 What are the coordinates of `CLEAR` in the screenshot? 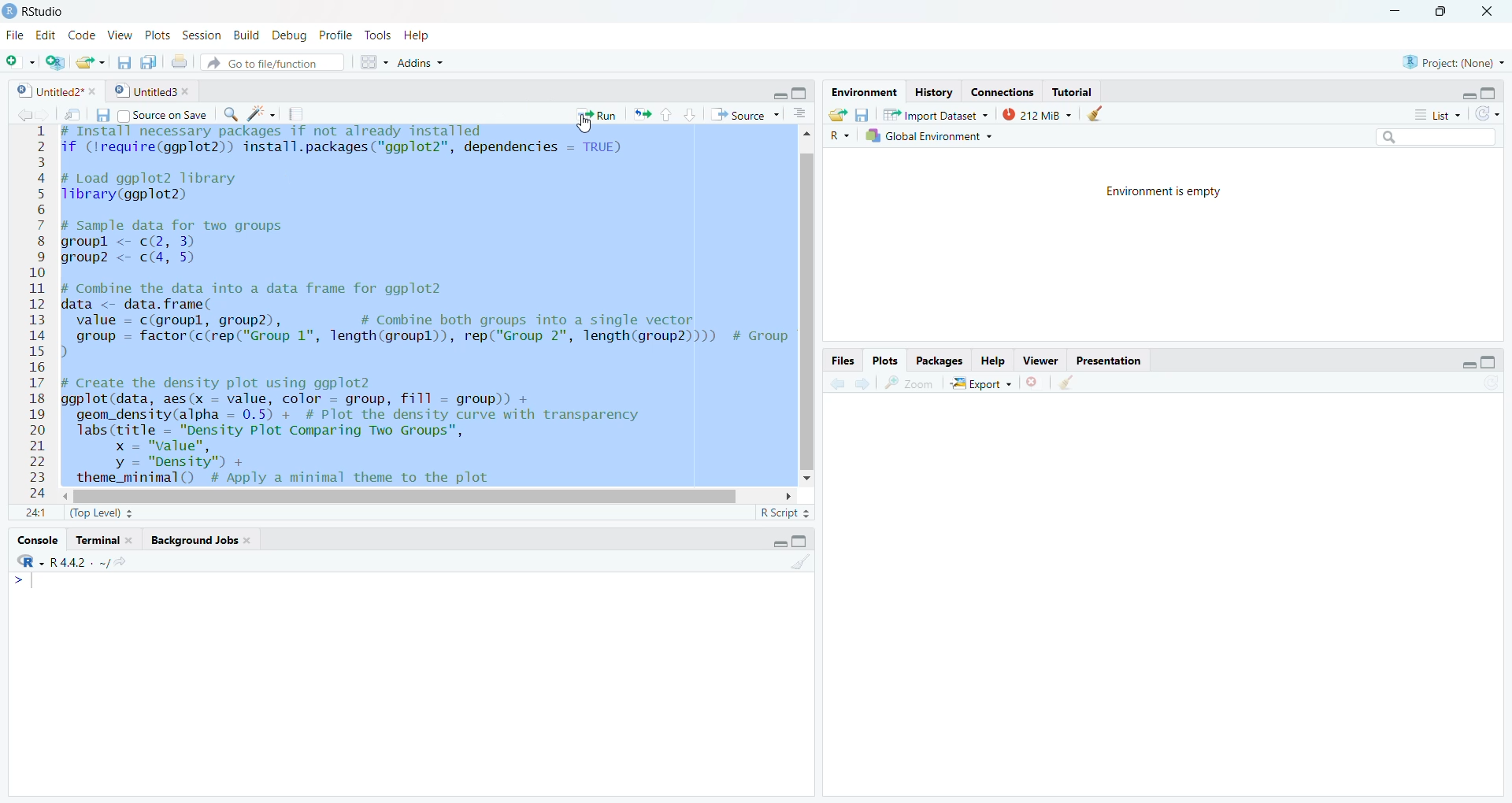 It's located at (1074, 383).